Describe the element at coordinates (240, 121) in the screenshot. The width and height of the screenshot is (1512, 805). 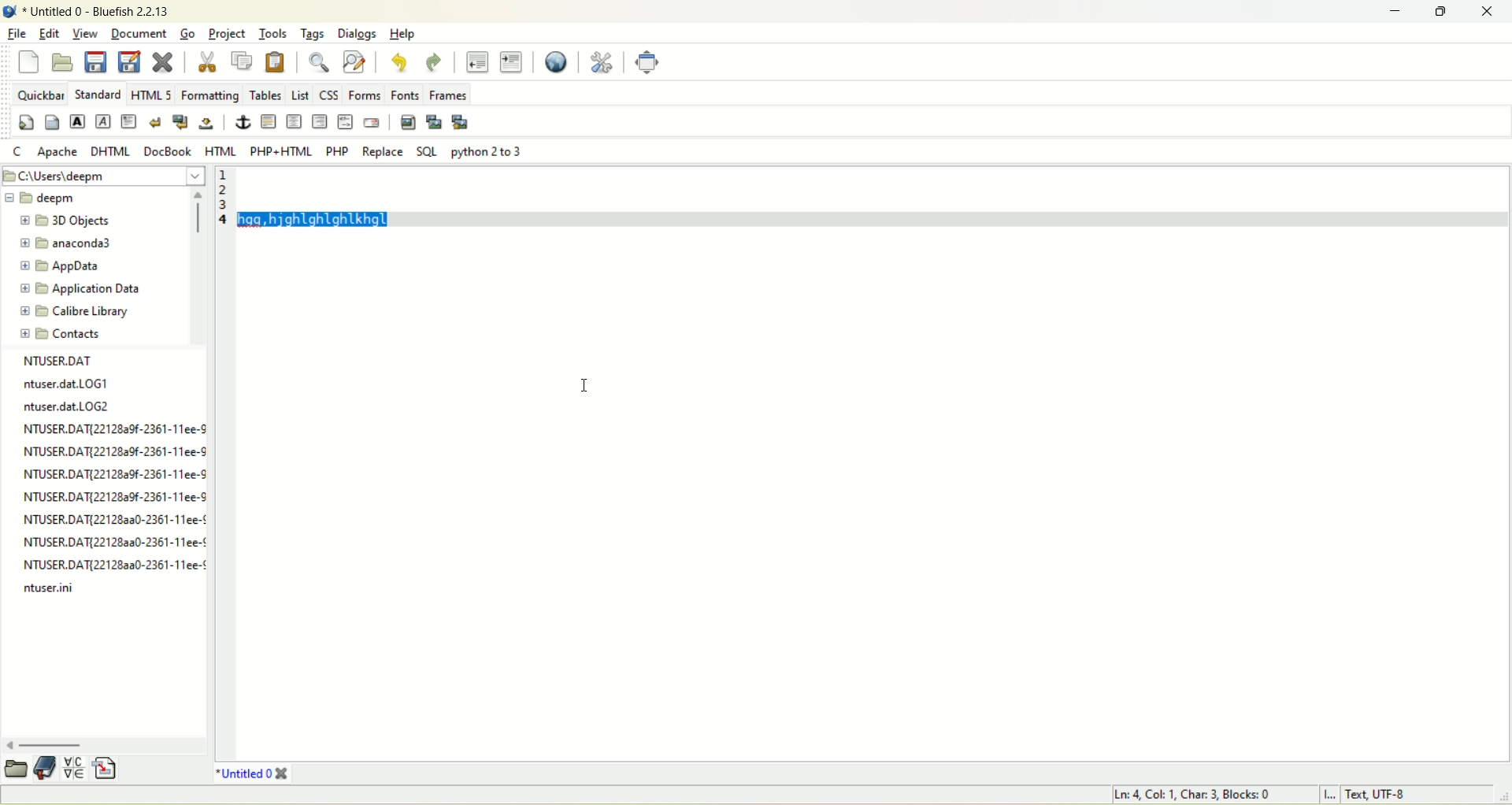
I see `anchor` at that location.